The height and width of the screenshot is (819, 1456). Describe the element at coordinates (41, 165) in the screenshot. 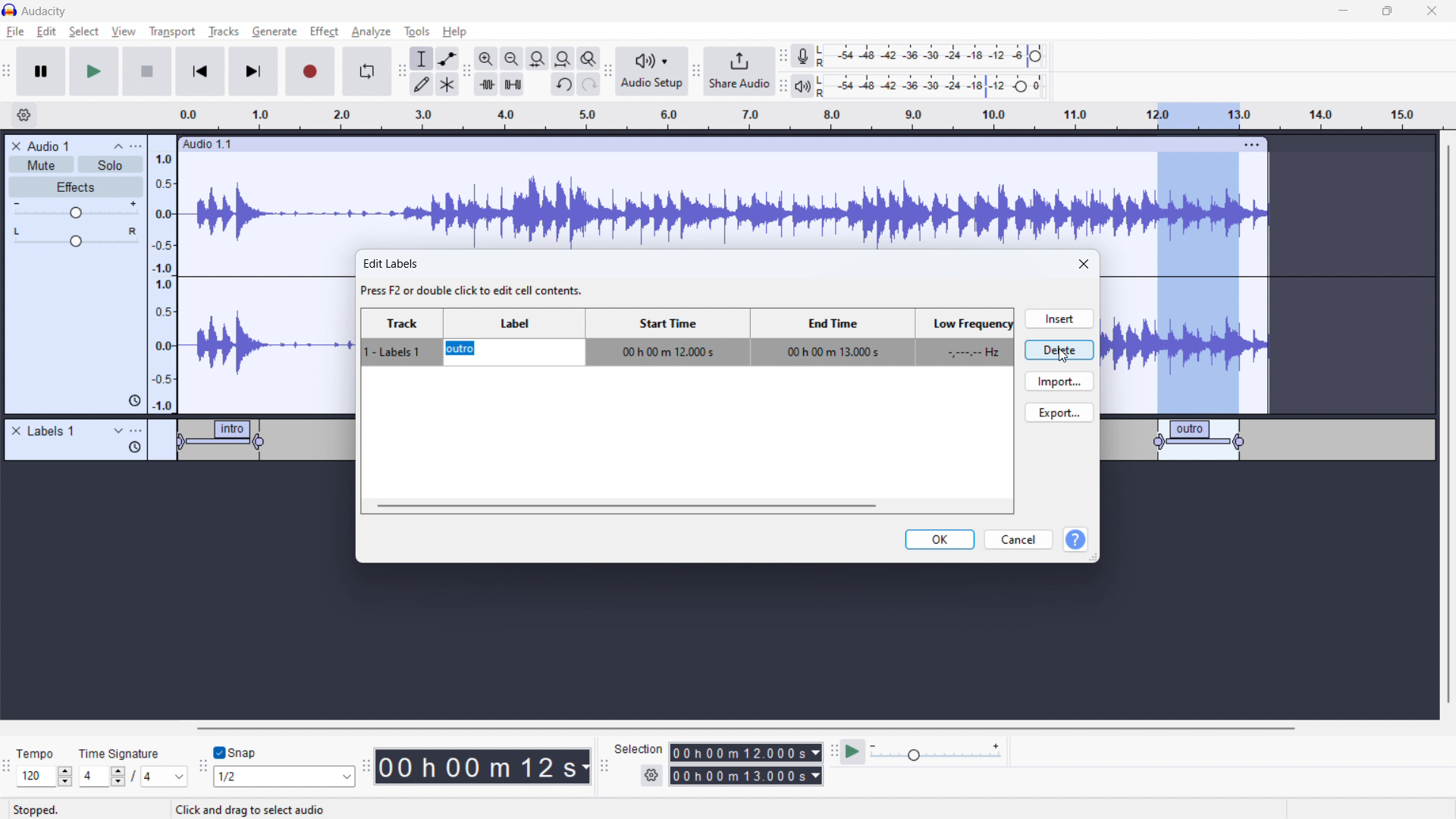

I see `mute` at that location.